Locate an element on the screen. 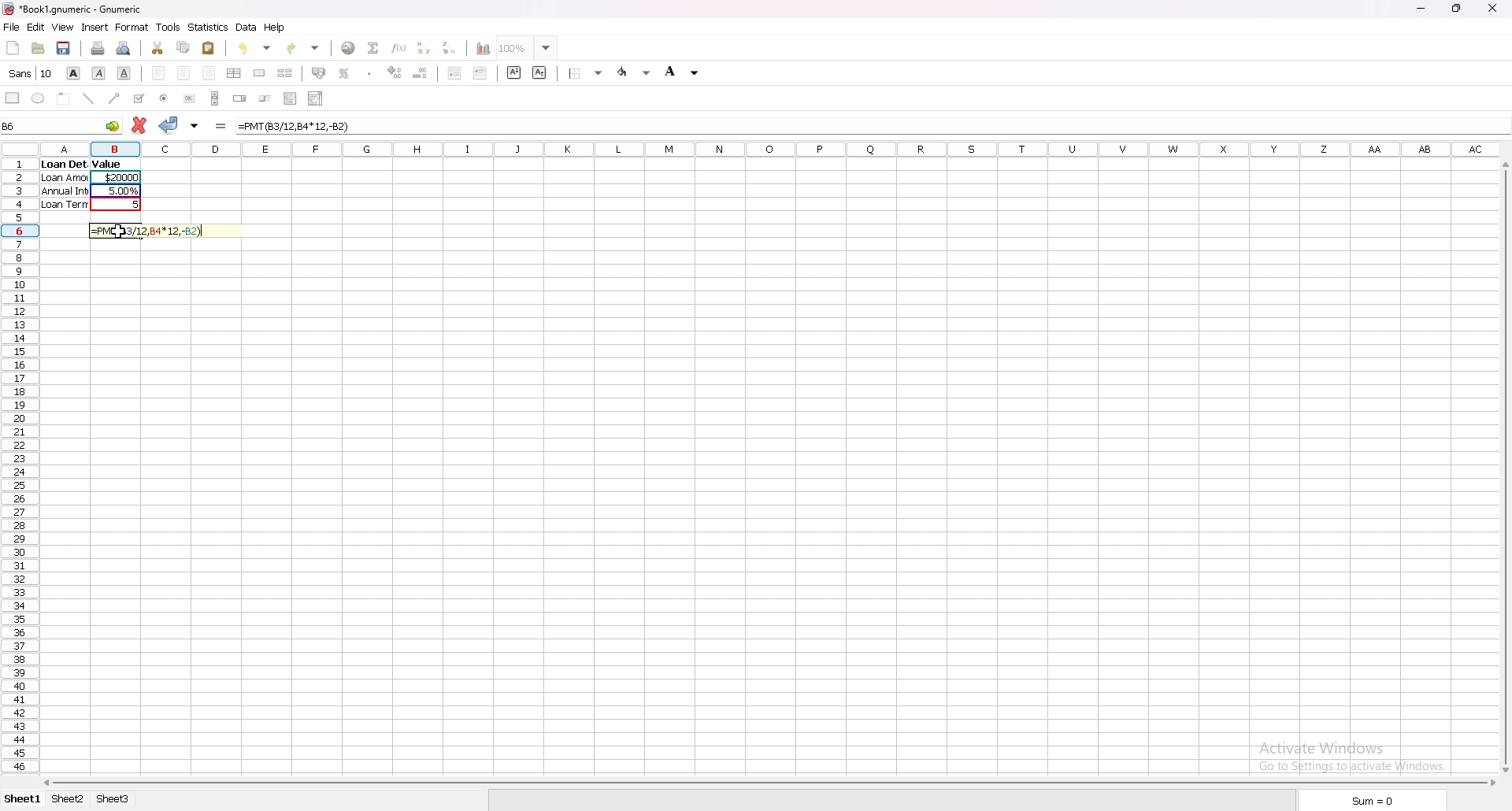  background is located at coordinates (682, 71).